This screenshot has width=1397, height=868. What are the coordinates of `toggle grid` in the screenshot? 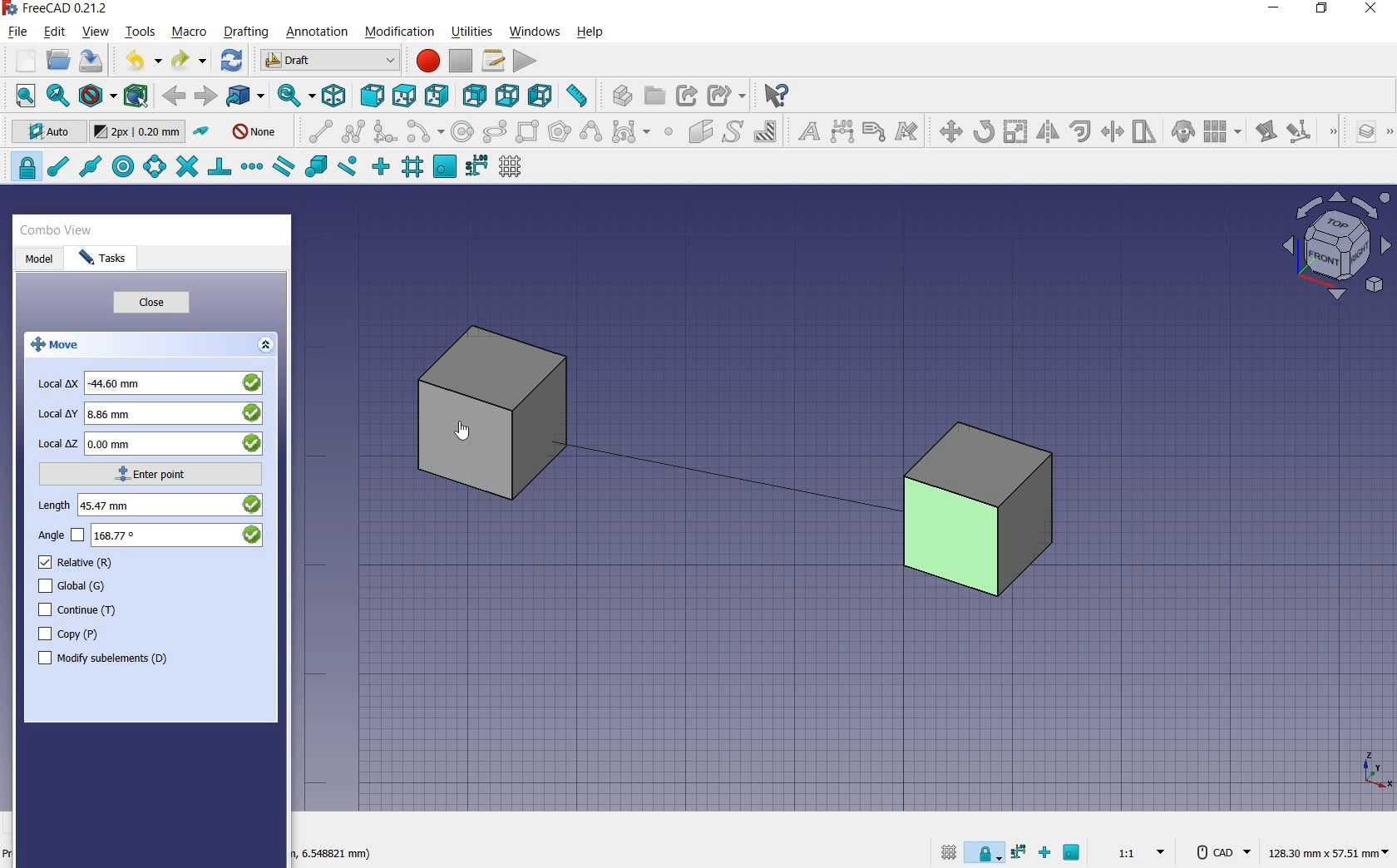 It's located at (509, 169).